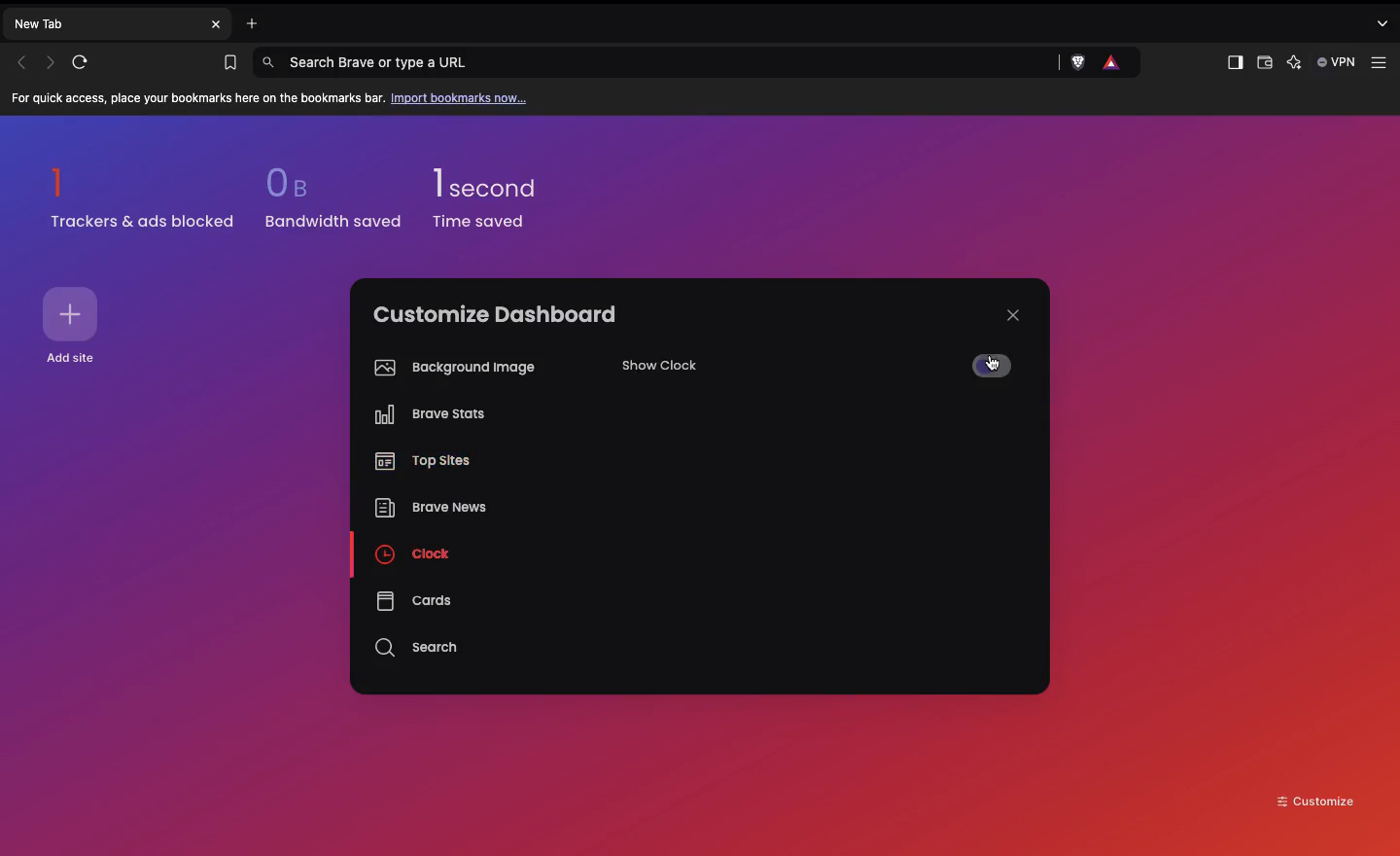 Image resolution: width=1400 pixels, height=856 pixels. I want to click on on brave stats, so click(425, 418).